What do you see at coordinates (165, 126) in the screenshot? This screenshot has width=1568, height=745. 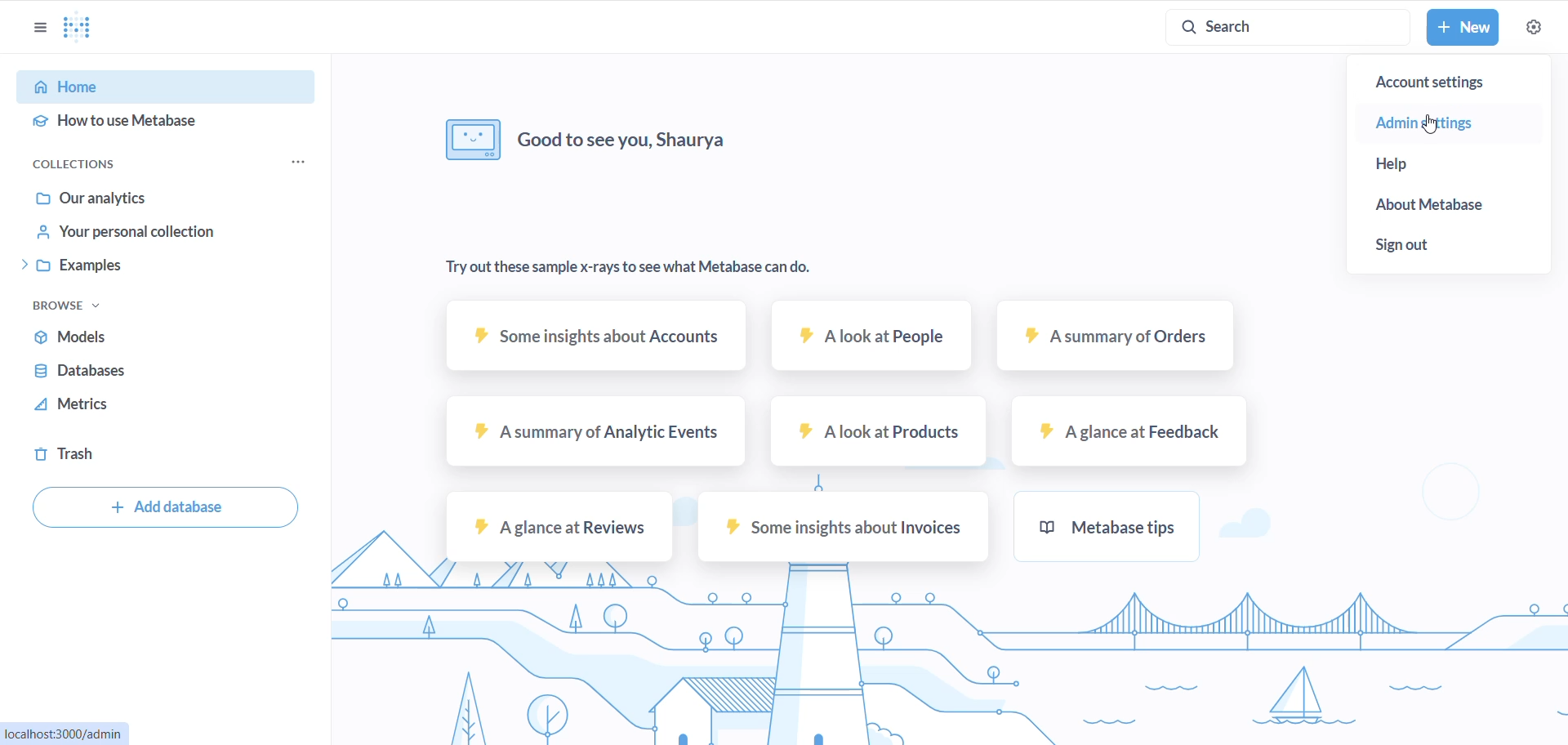 I see `HOW TO USE METADATA` at bounding box center [165, 126].